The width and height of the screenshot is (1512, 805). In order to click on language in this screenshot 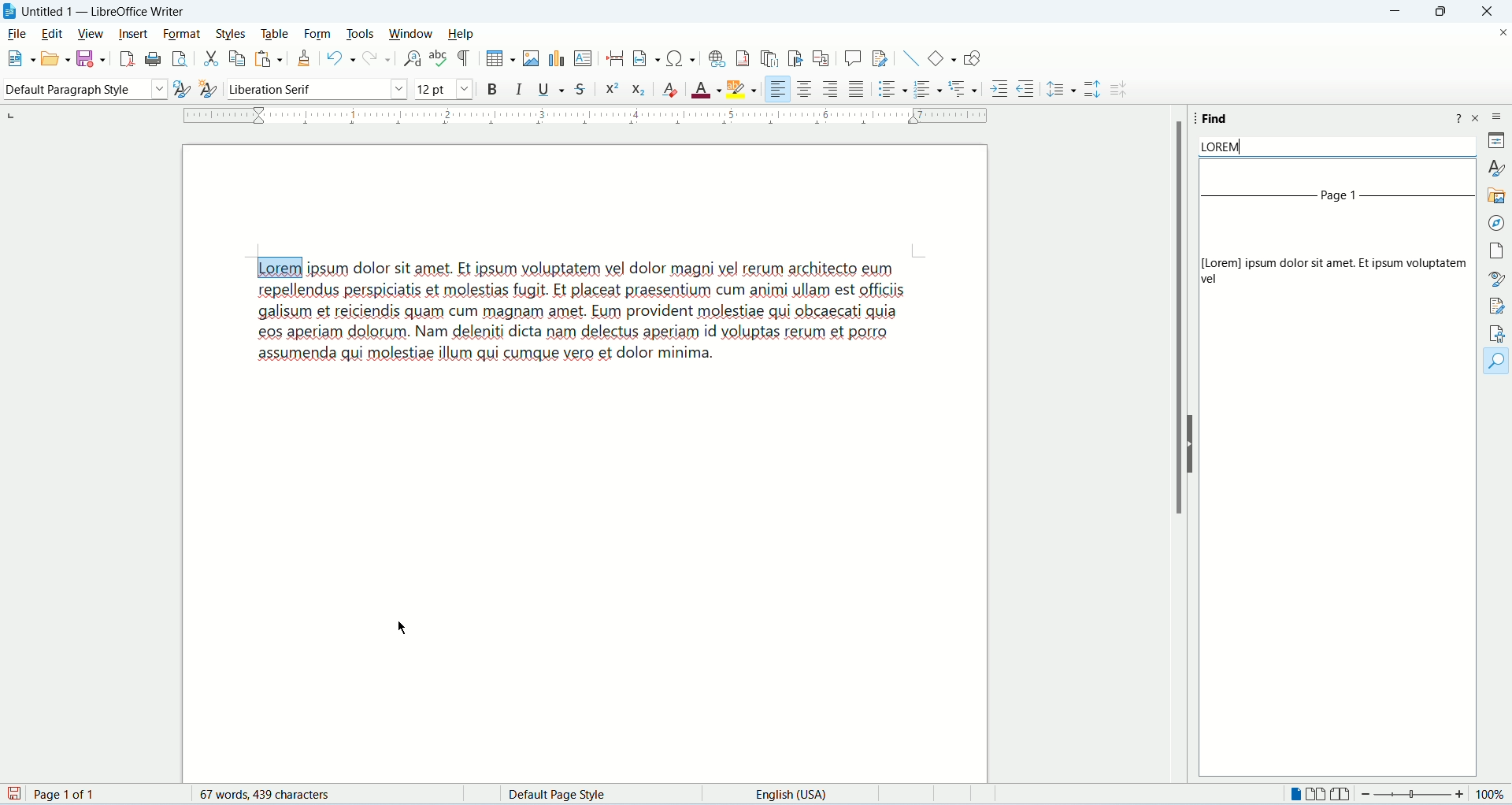, I will do `click(793, 796)`.